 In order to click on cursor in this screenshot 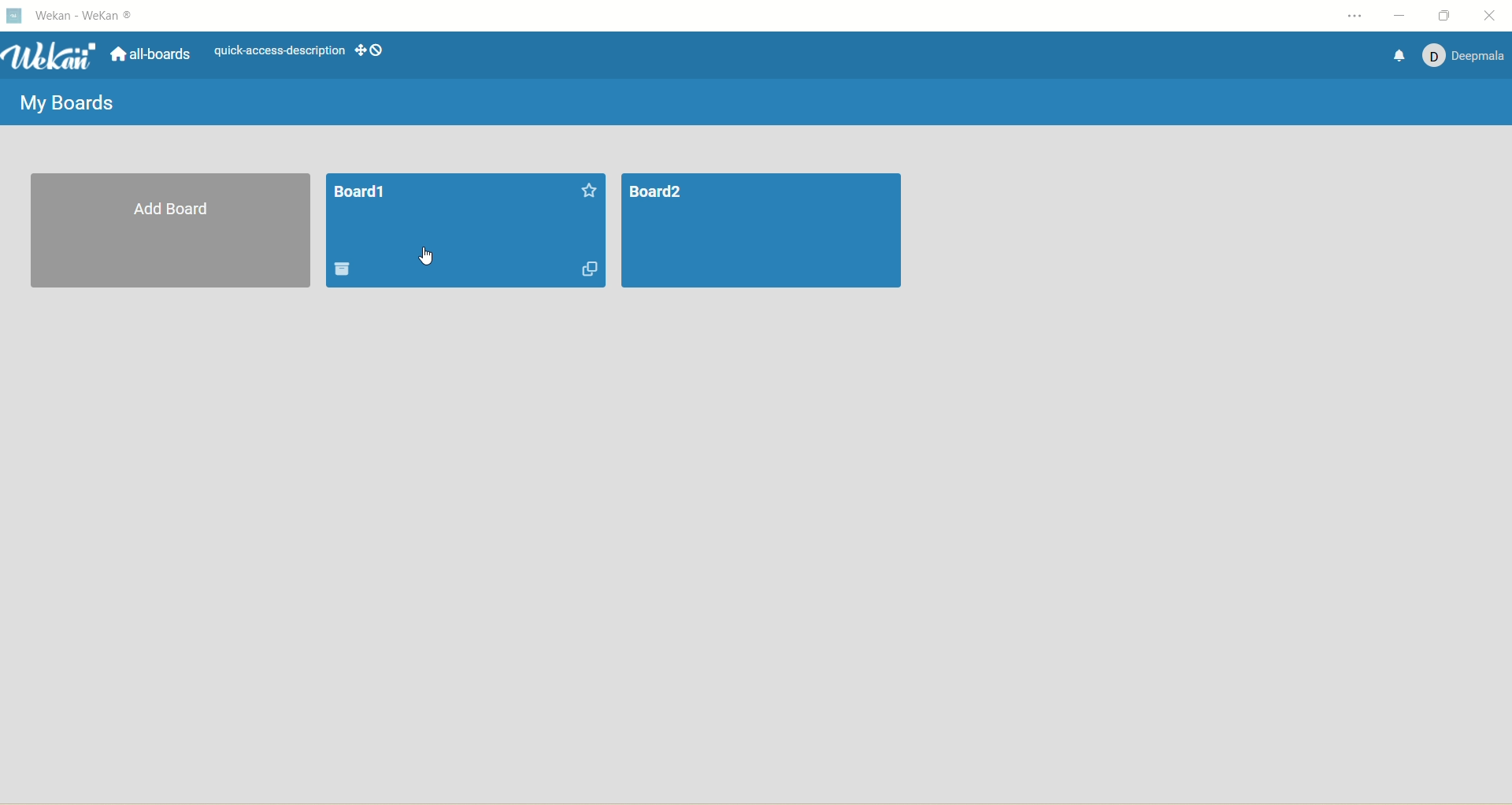, I will do `click(428, 256)`.